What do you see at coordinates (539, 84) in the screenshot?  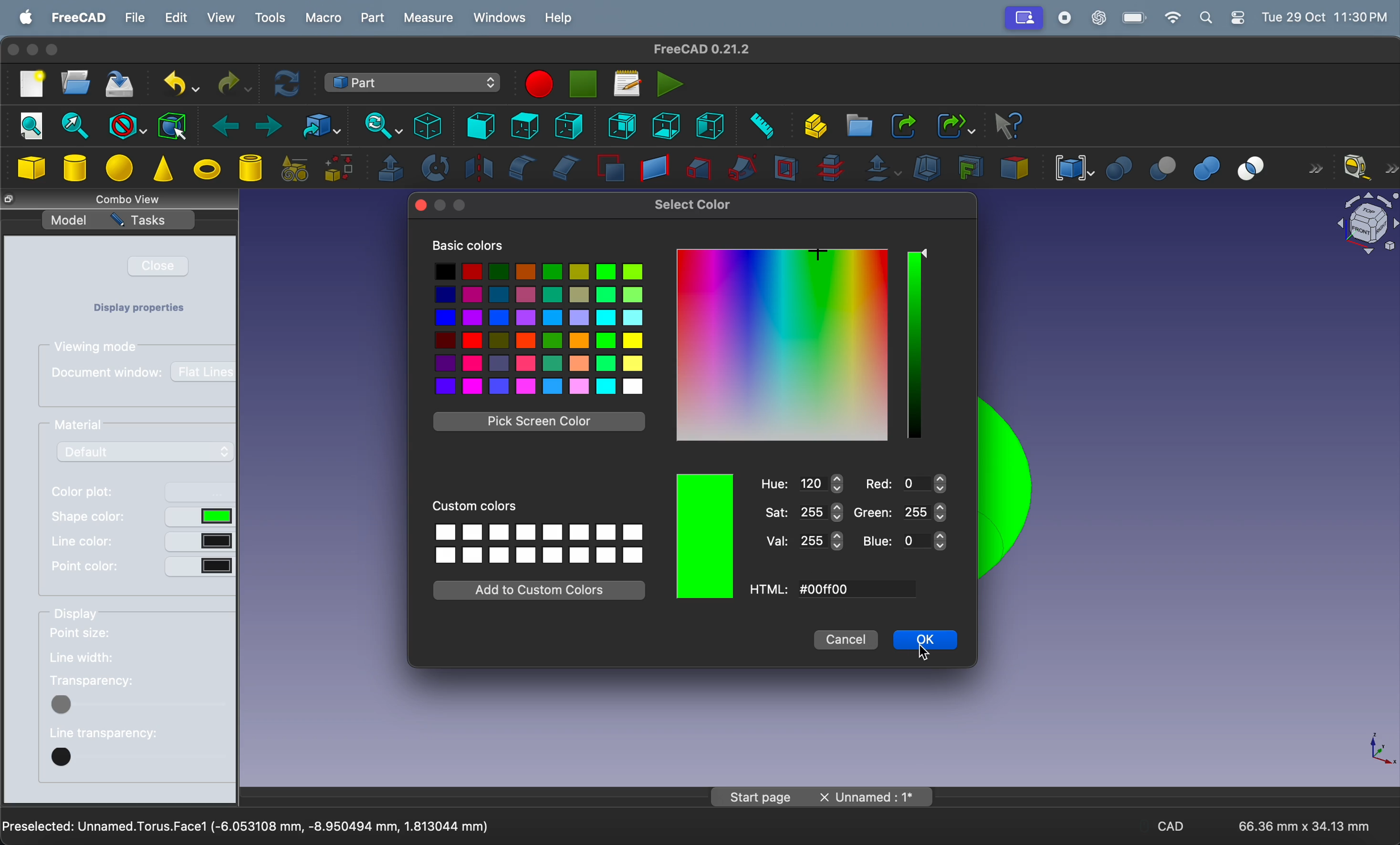 I see `marco recording` at bounding box center [539, 84].